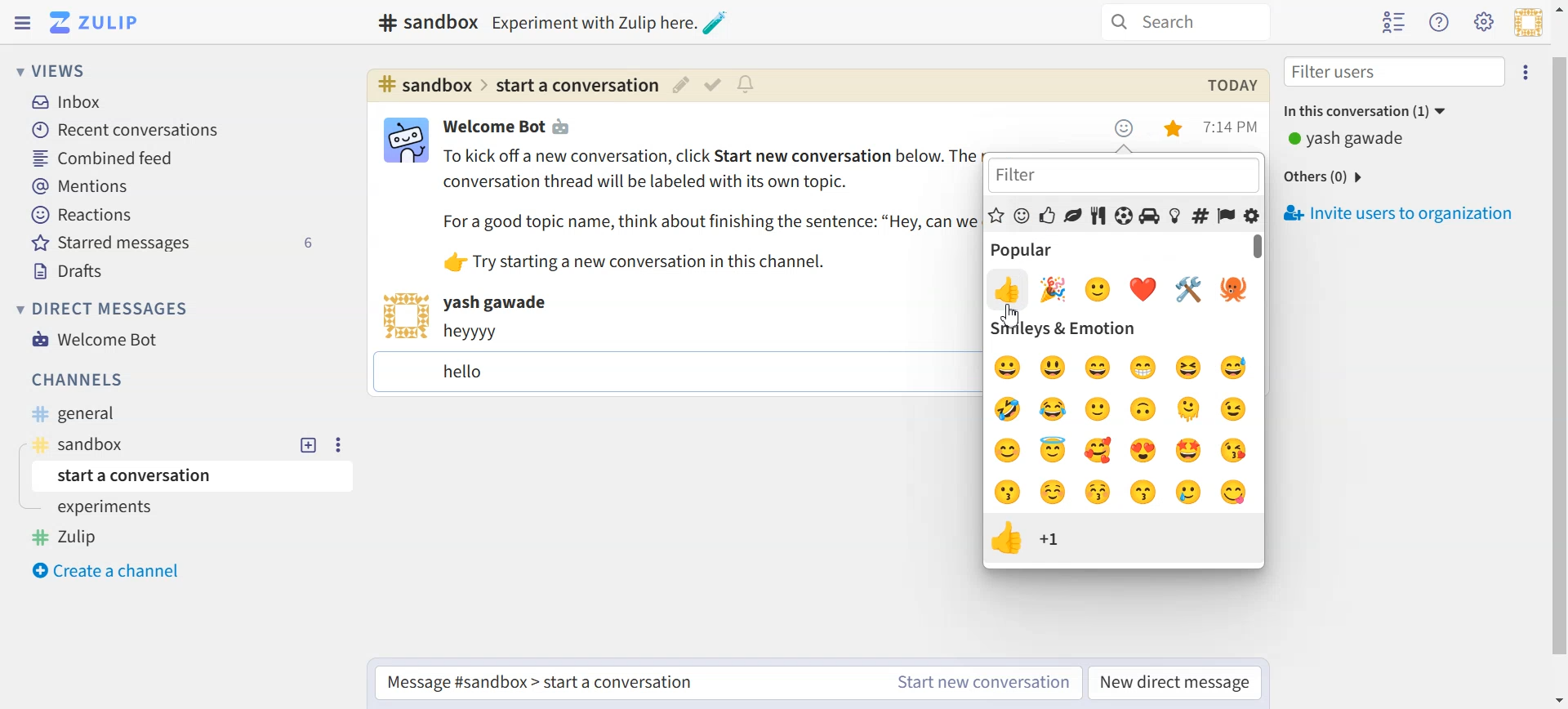 This screenshot has width=1568, height=709. Describe the element at coordinates (1194, 495) in the screenshot. I see `smile with tear` at that location.